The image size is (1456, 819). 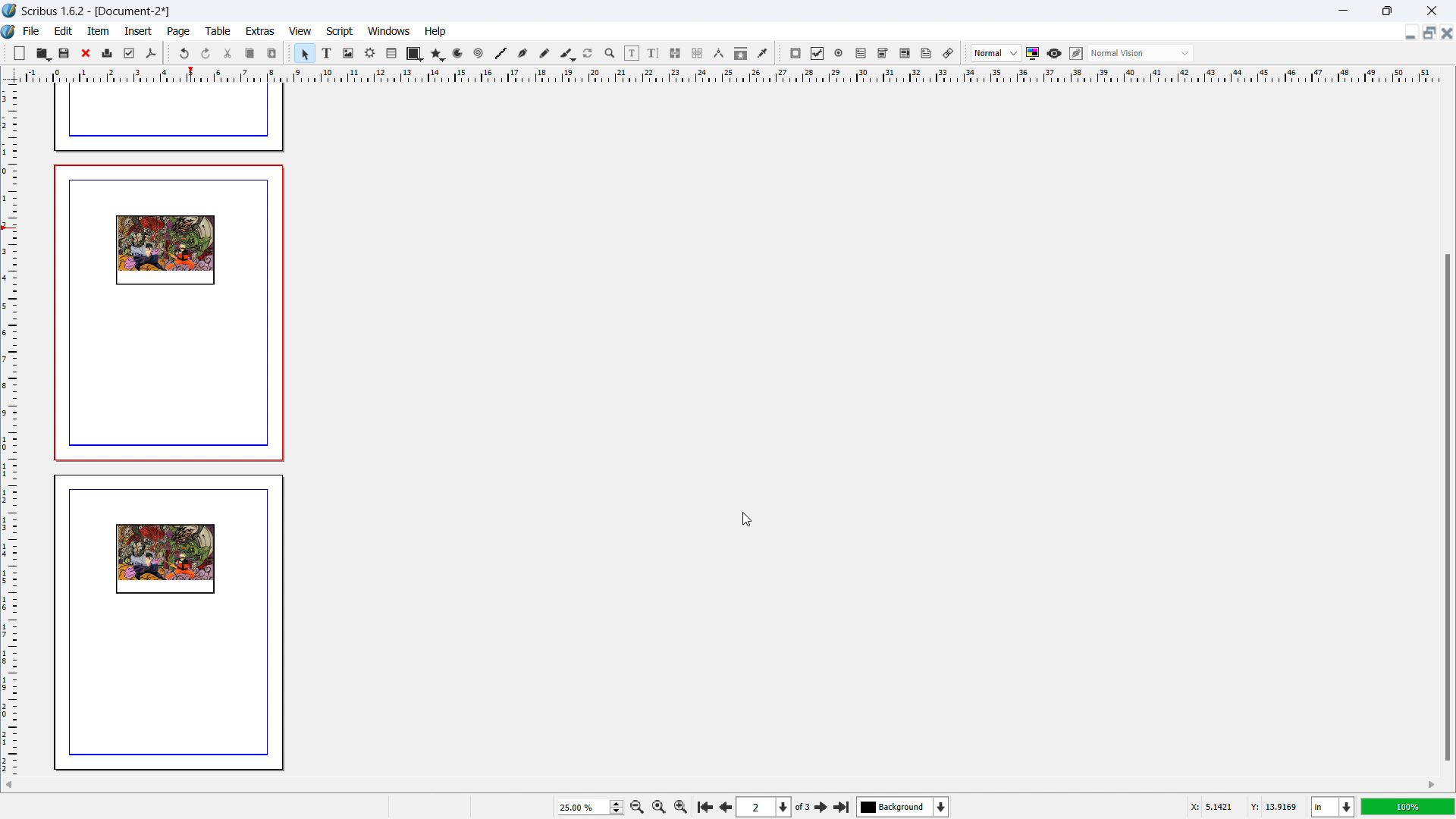 I want to click on of 3, so click(x=802, y=808).